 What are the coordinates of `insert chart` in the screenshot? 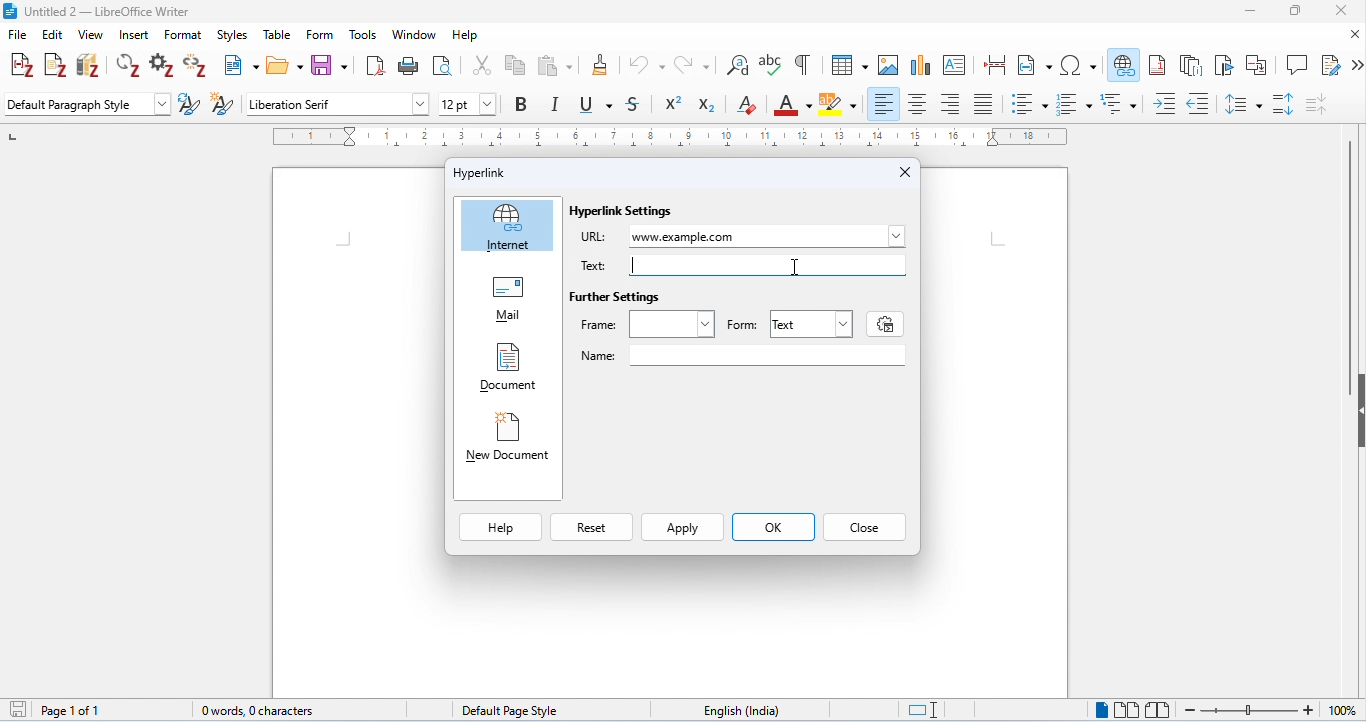 It's located at (921, 64).